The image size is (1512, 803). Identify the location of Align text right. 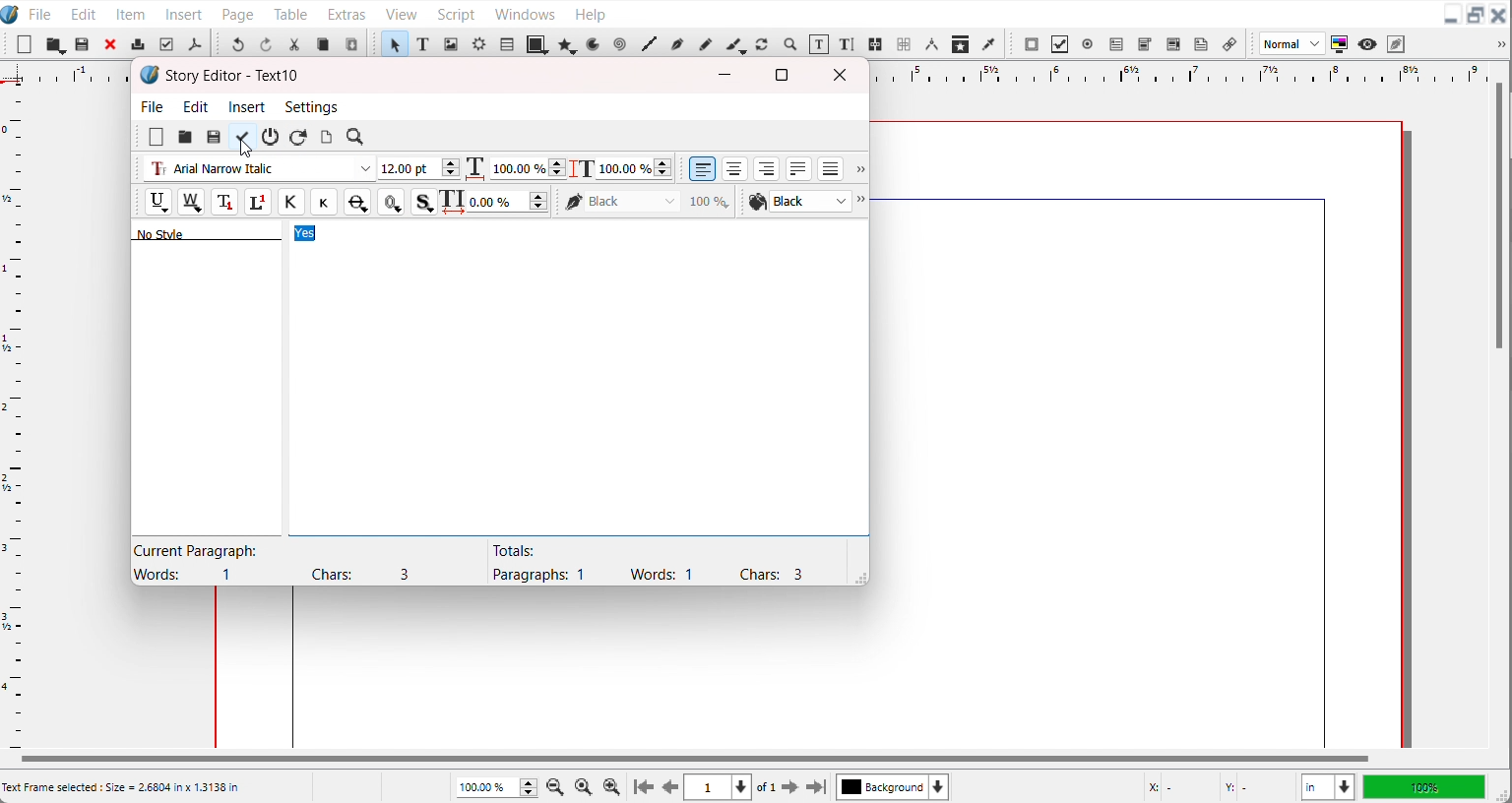
(767, 168).